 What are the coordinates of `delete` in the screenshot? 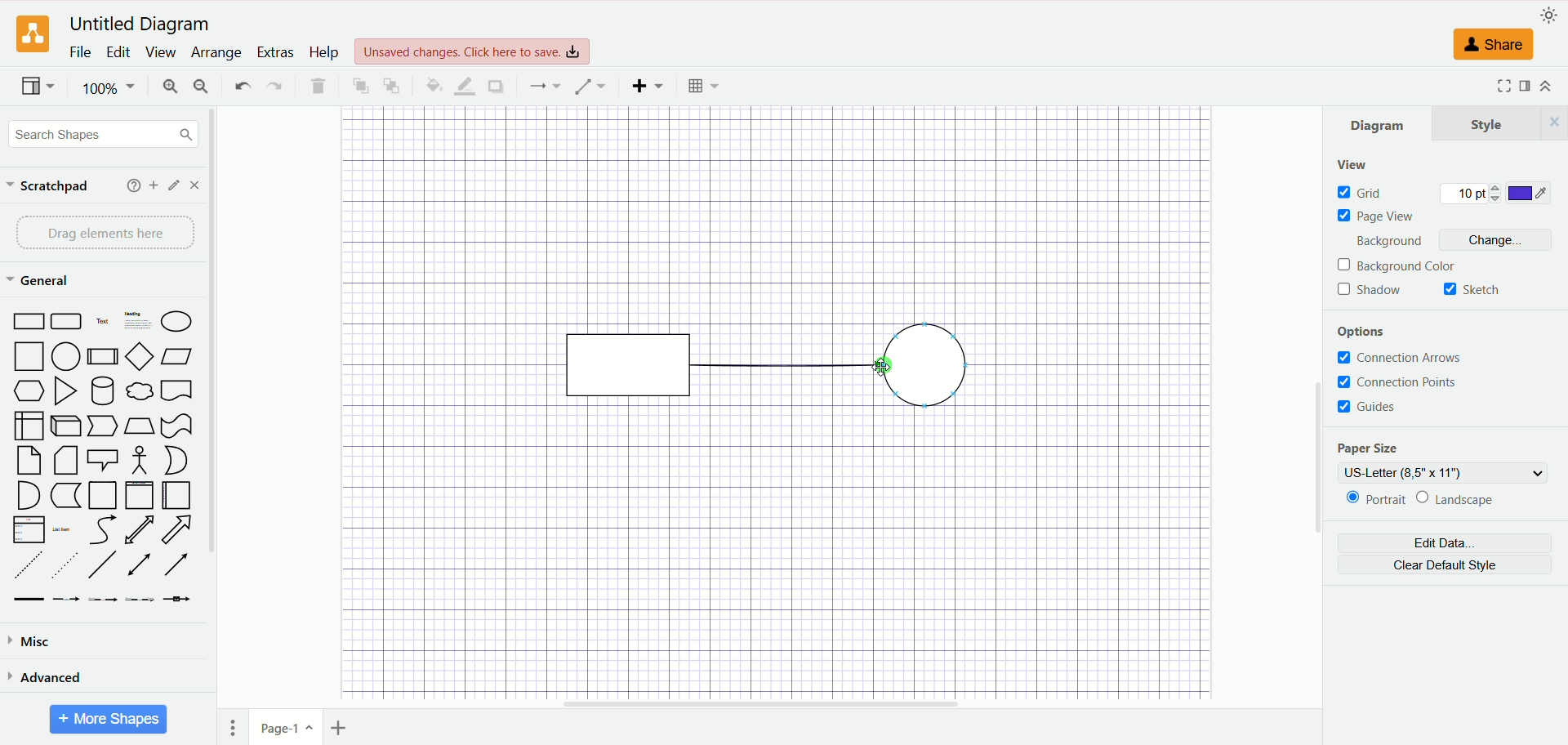 It's located at (316, 84).